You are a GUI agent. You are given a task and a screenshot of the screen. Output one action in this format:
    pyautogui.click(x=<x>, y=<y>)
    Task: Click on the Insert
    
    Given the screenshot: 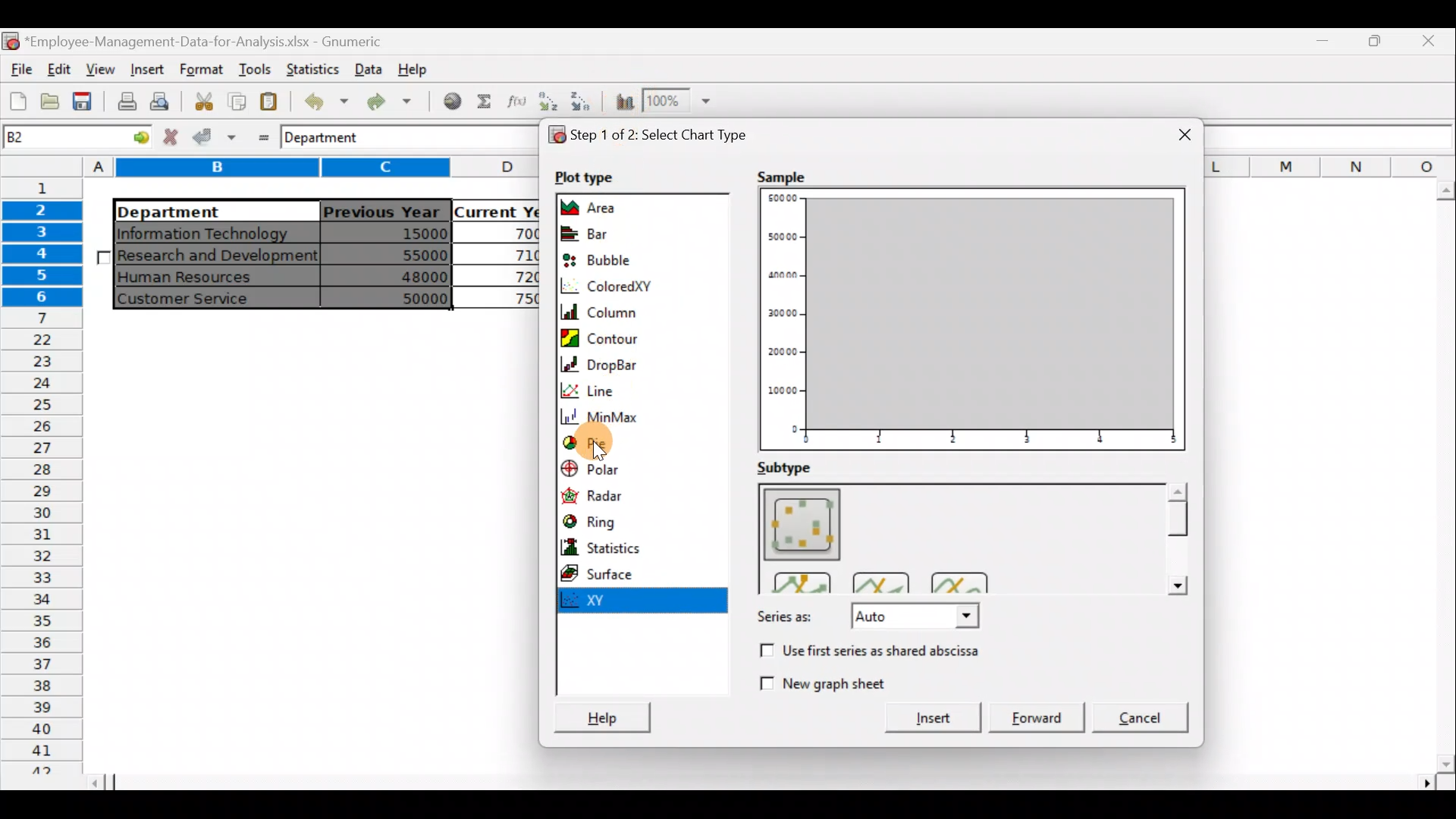 What is the action you would take?
    pyautogui.click(x=924, y=718)
    